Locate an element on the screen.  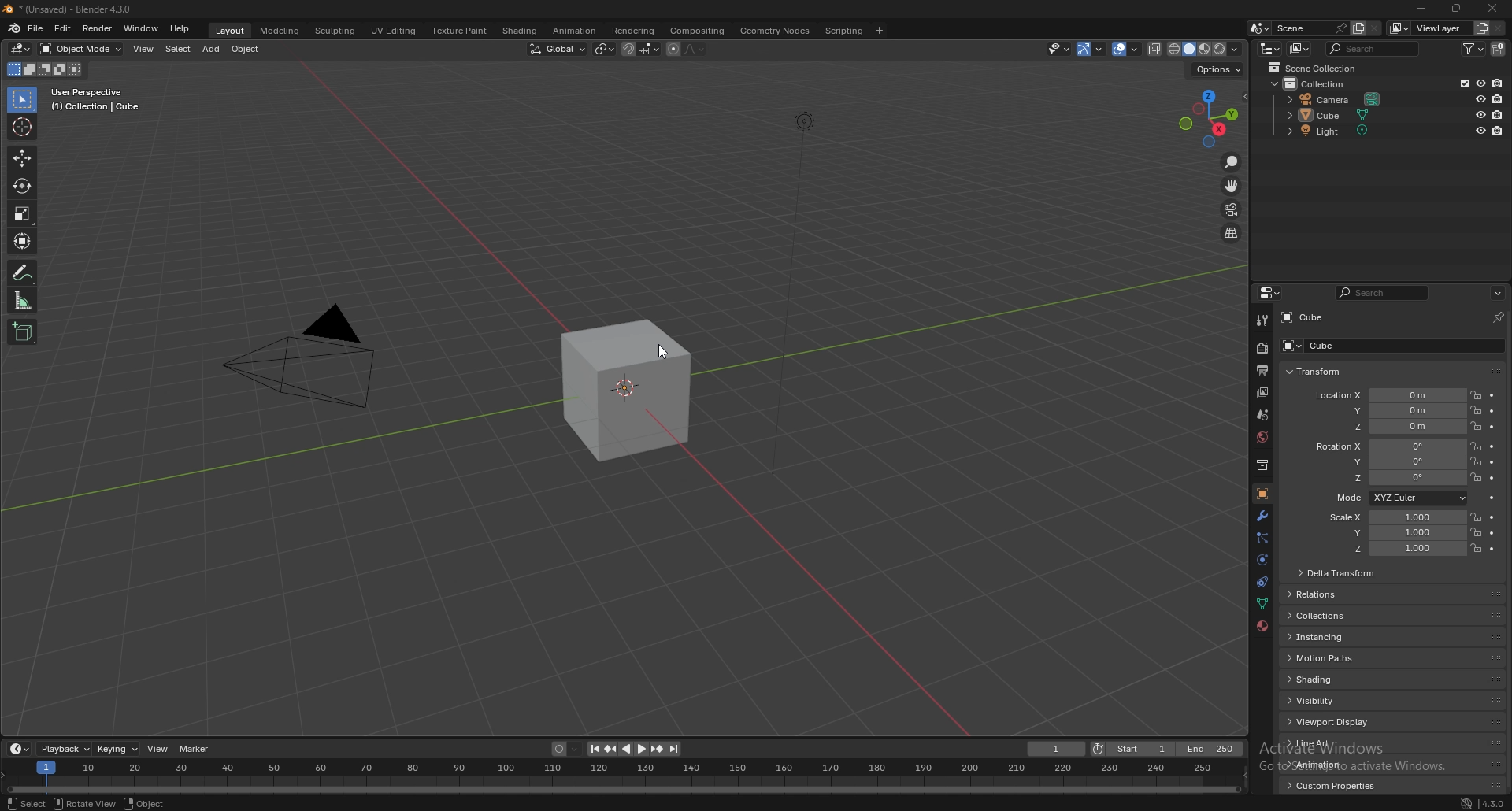
animate property is located at coordinates (1492, 533).